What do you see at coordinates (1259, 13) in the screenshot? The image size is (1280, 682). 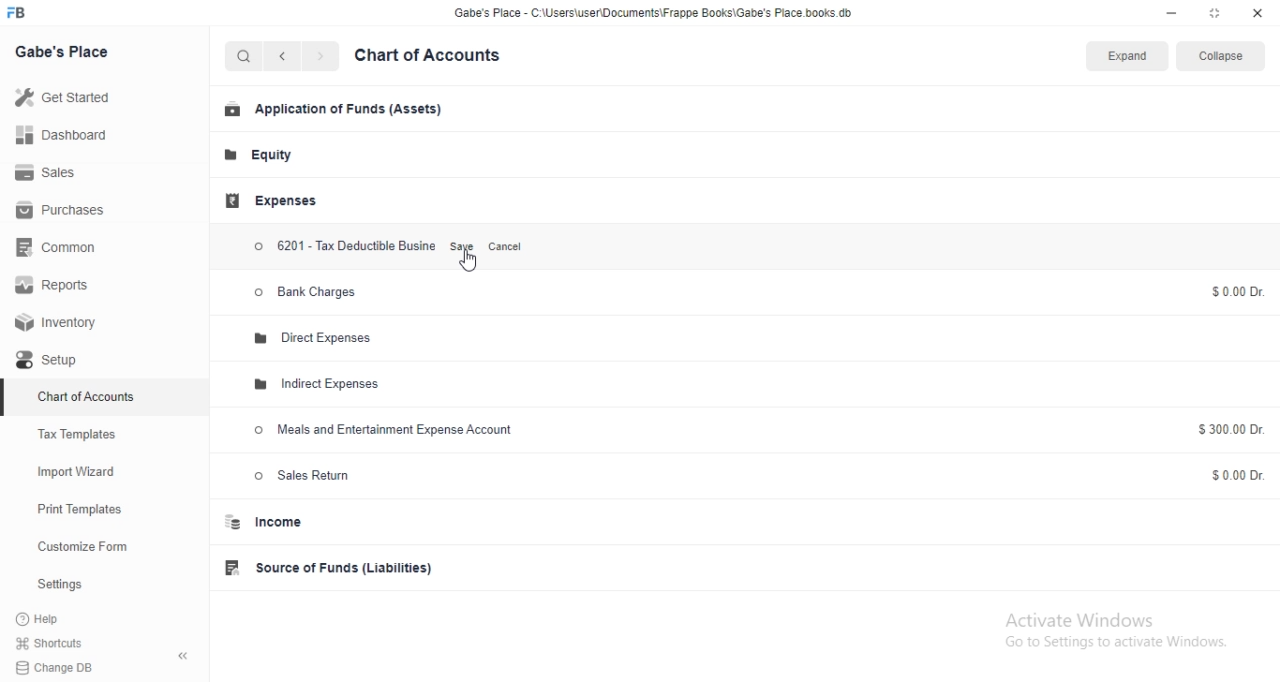 I see `close` at bounding box center [1259, 13].